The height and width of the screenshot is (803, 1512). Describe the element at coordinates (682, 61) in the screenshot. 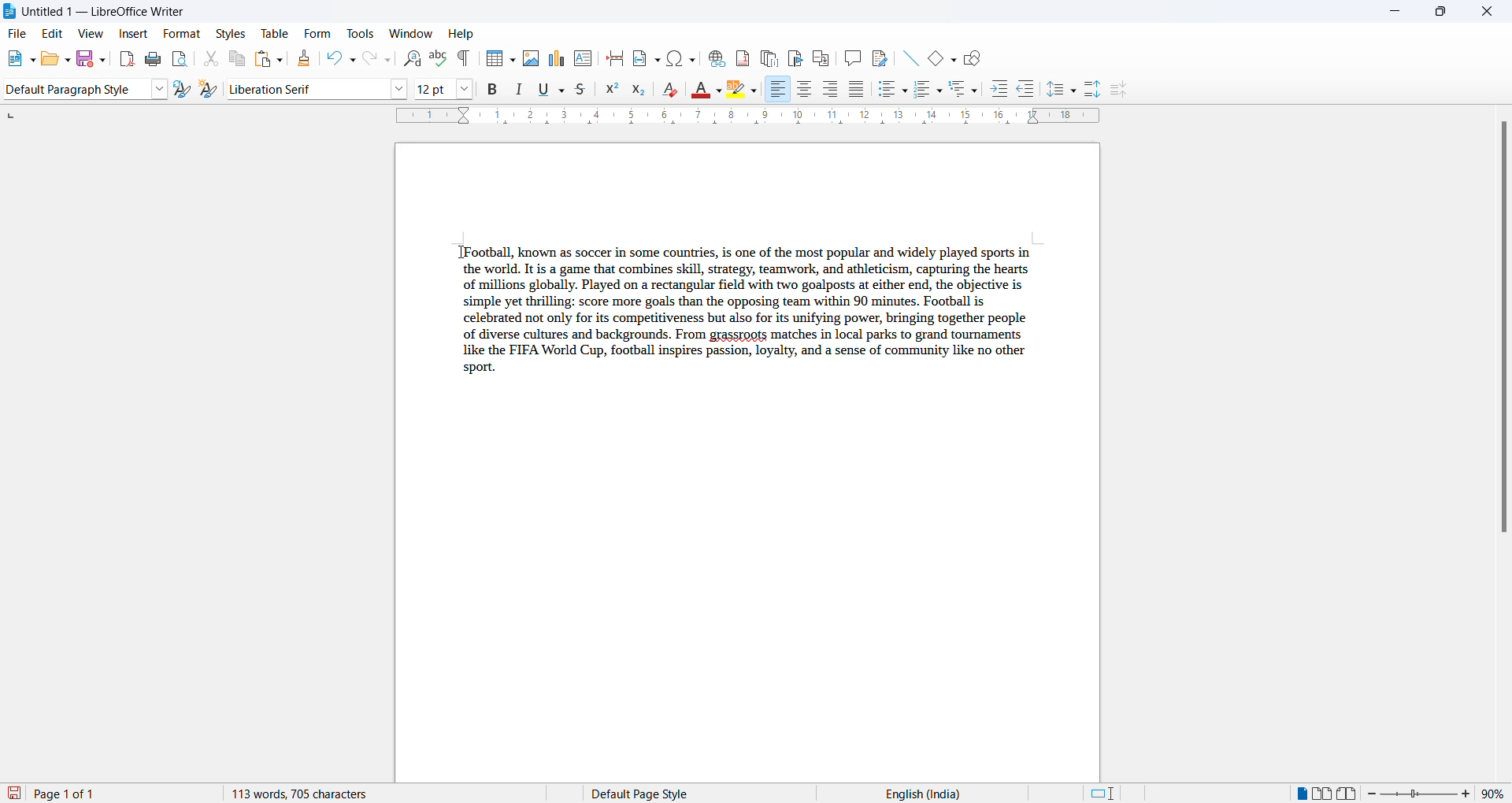

I see `insert special character` at that location.